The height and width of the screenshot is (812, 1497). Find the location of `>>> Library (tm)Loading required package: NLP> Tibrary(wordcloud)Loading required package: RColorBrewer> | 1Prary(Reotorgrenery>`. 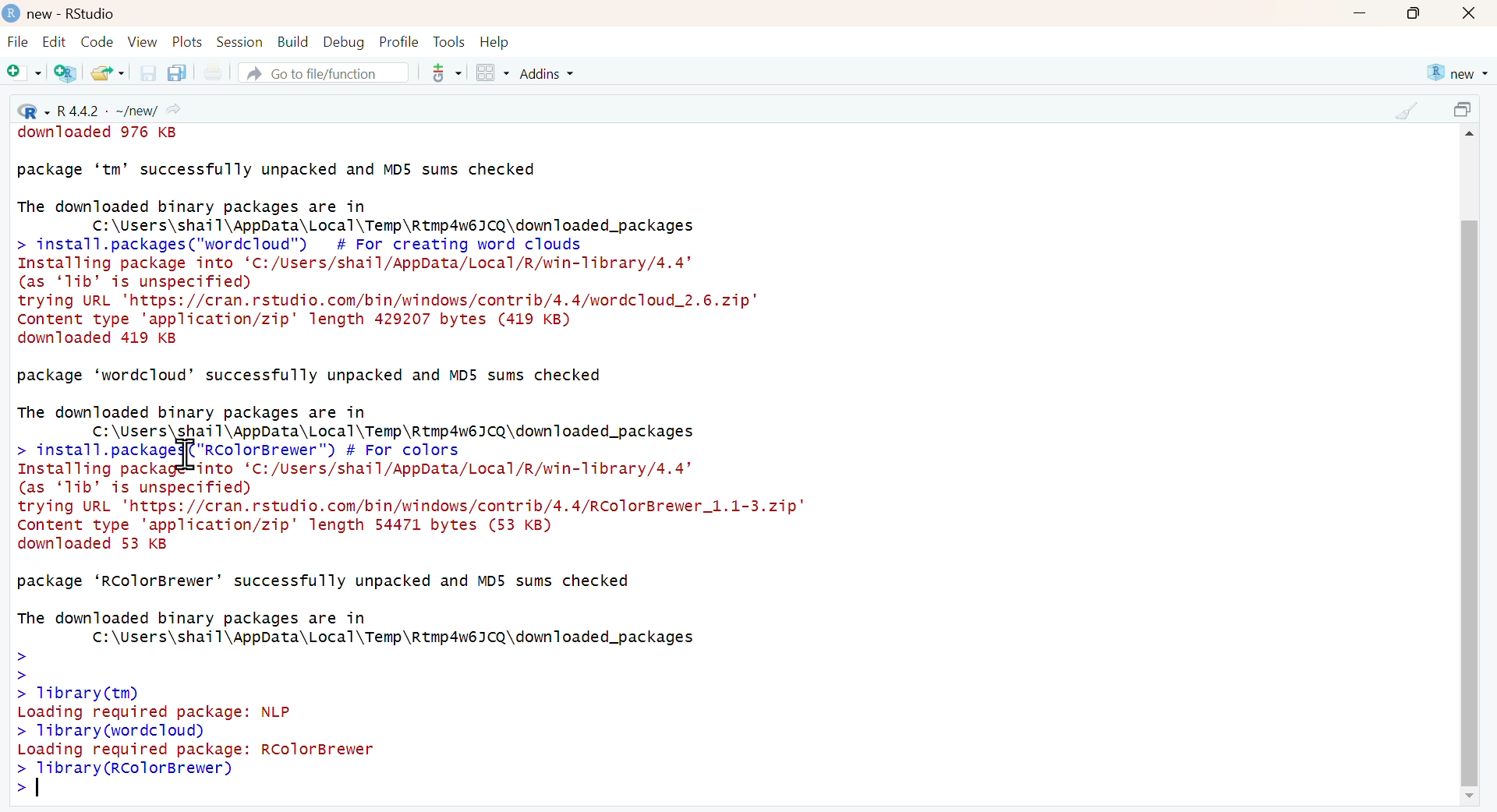

>>> Library (tm)Loading required package: NLP> Tibrary(wordcloud)Loading required package: RColorBrewer> | 1Prary(Reotorgrenery> is located at coordinates (212, 729).